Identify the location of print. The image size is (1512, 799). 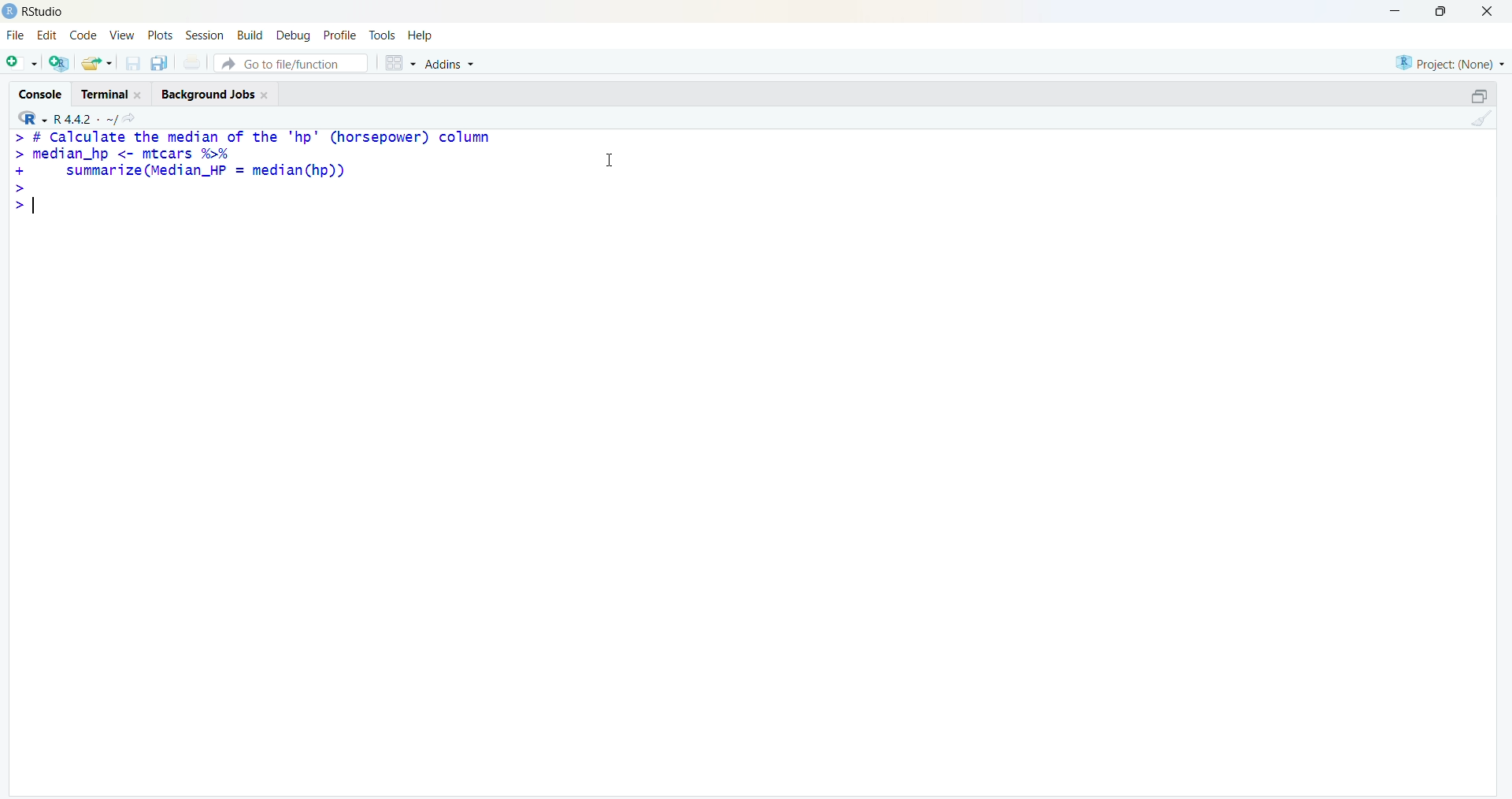
(192, 63).